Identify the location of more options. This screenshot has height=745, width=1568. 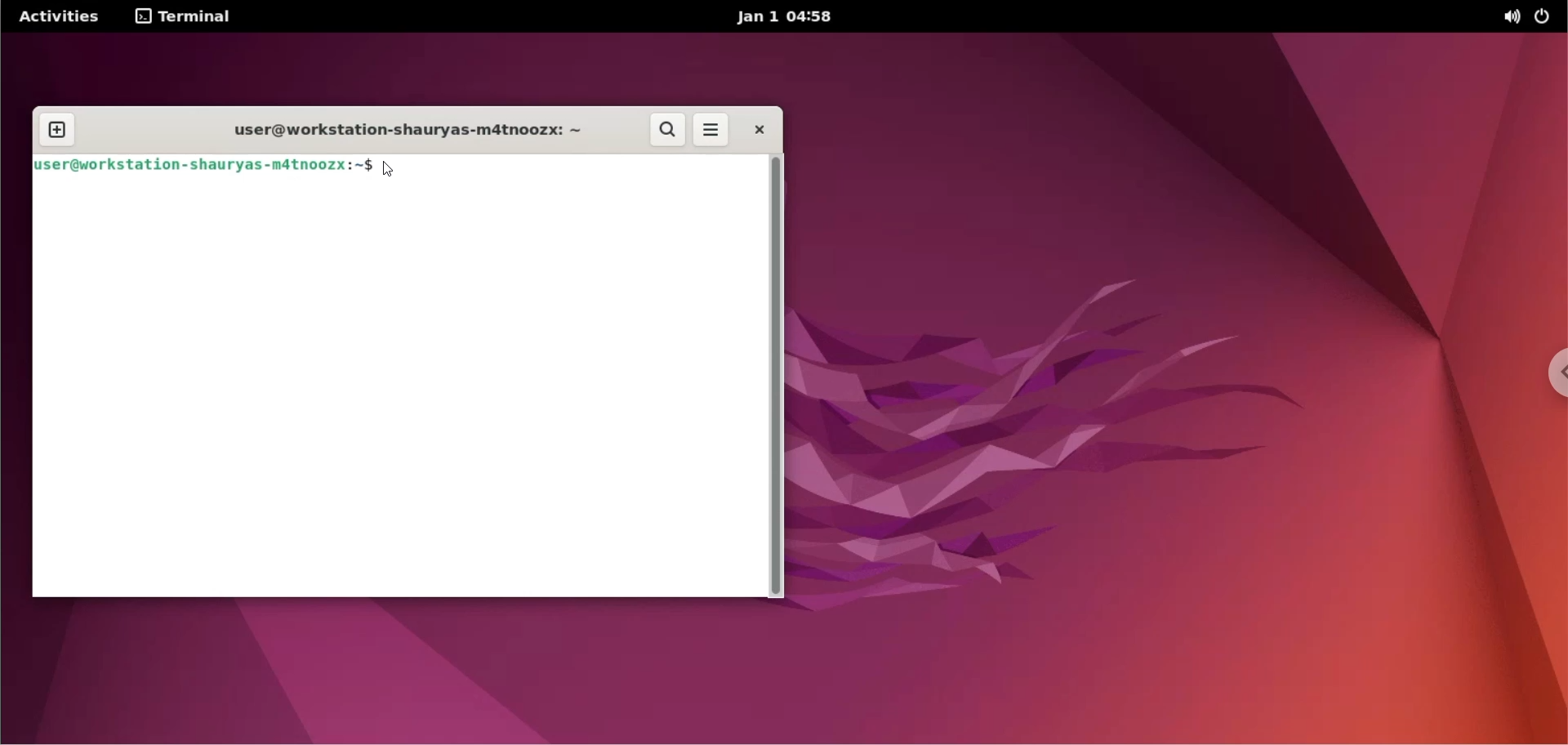
(712, 131).